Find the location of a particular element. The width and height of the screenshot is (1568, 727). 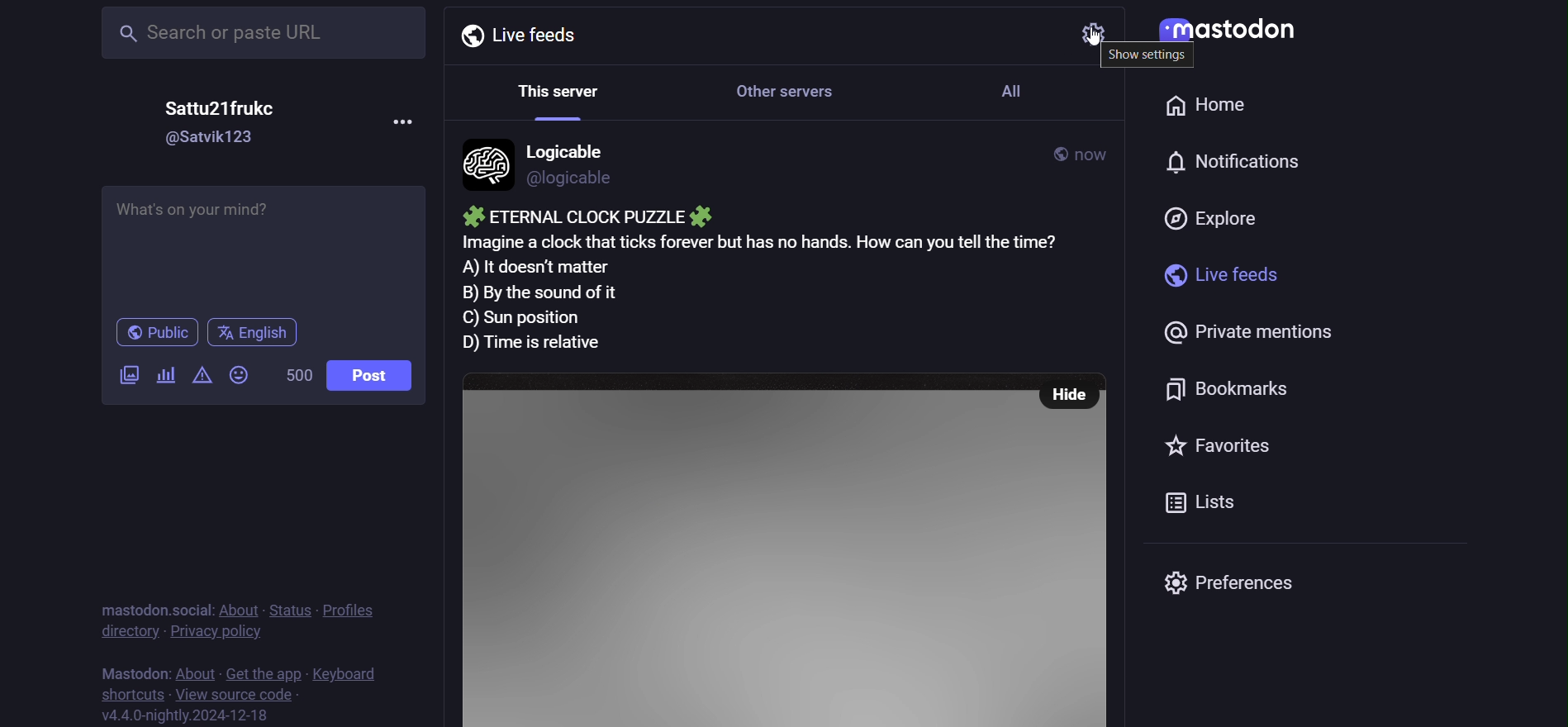

home is located at coordinates (1209, 102).